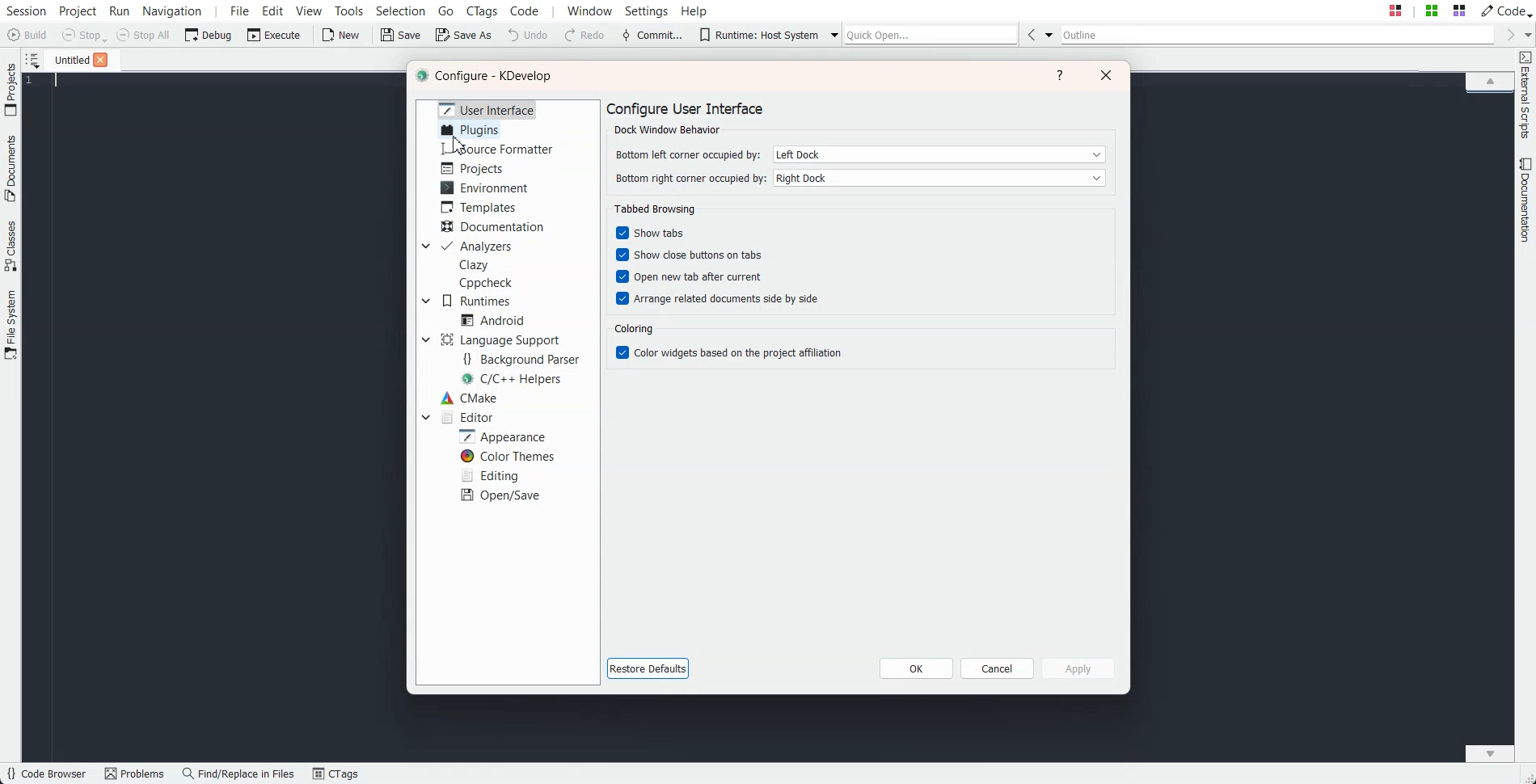  What do you see at coordinates (484, 188) in the screenshot?
I see `Environment` at bounding box center [484, 188].